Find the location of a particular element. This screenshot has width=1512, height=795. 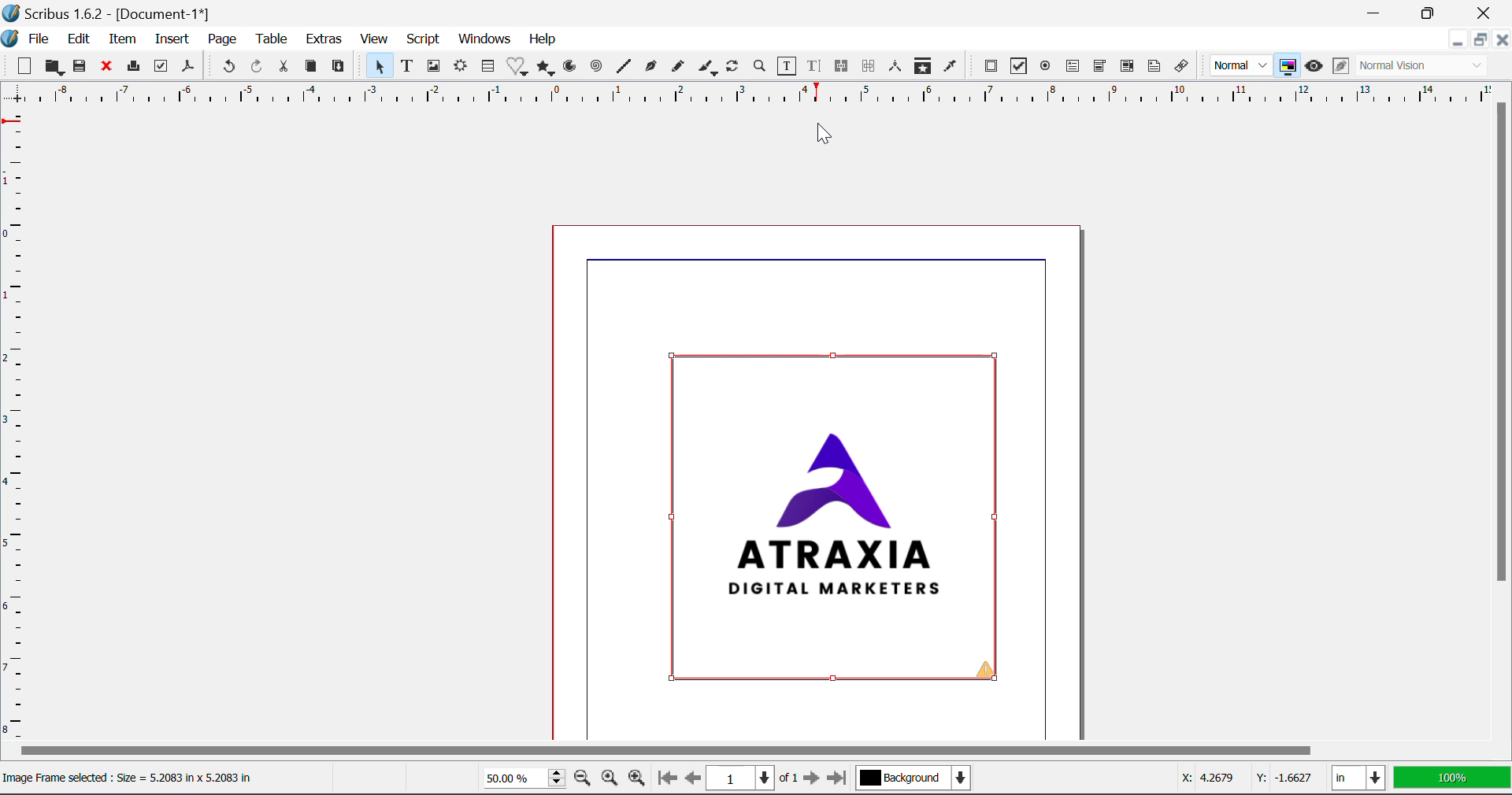

Text Frame is located at coordinates (407, 66).